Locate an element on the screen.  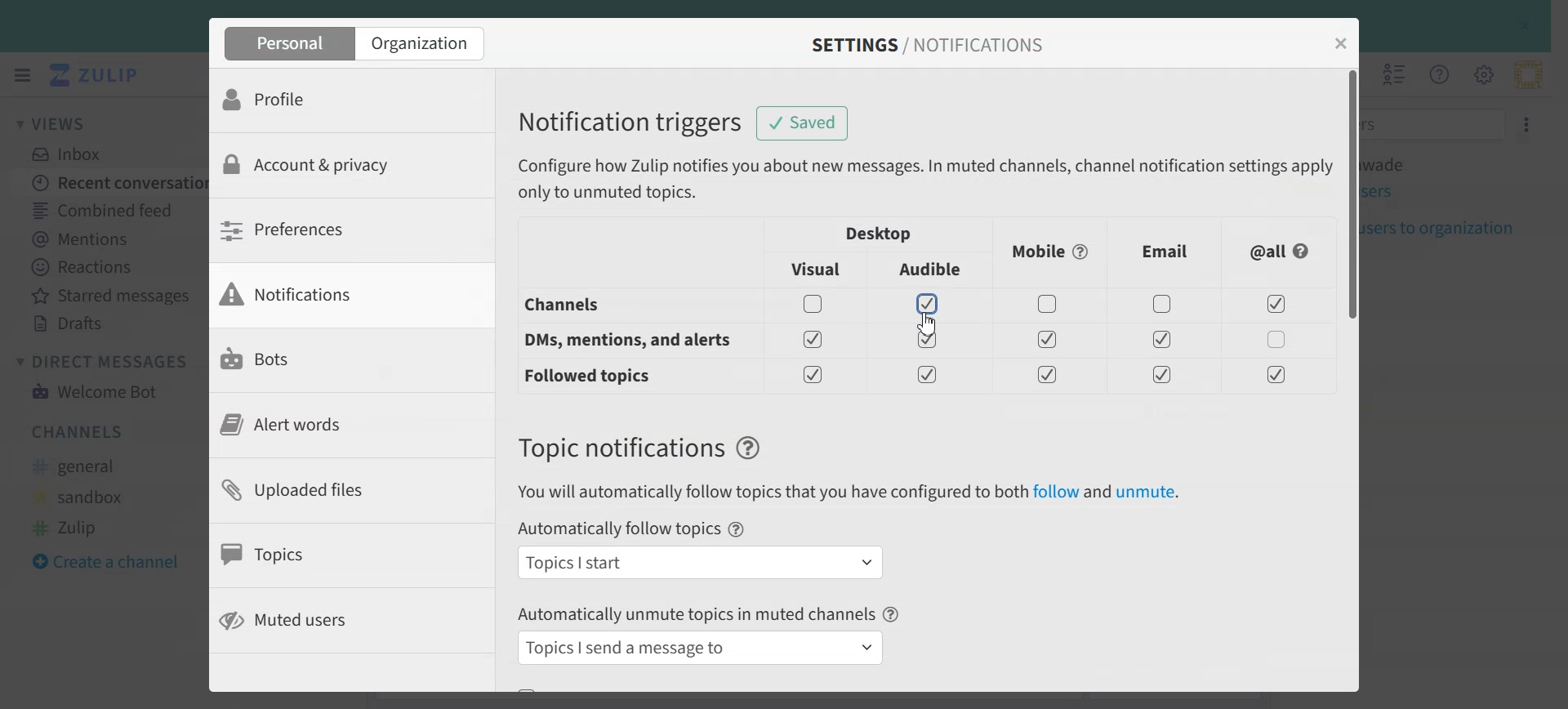
Create a channel is located at coordinates (115, 560).